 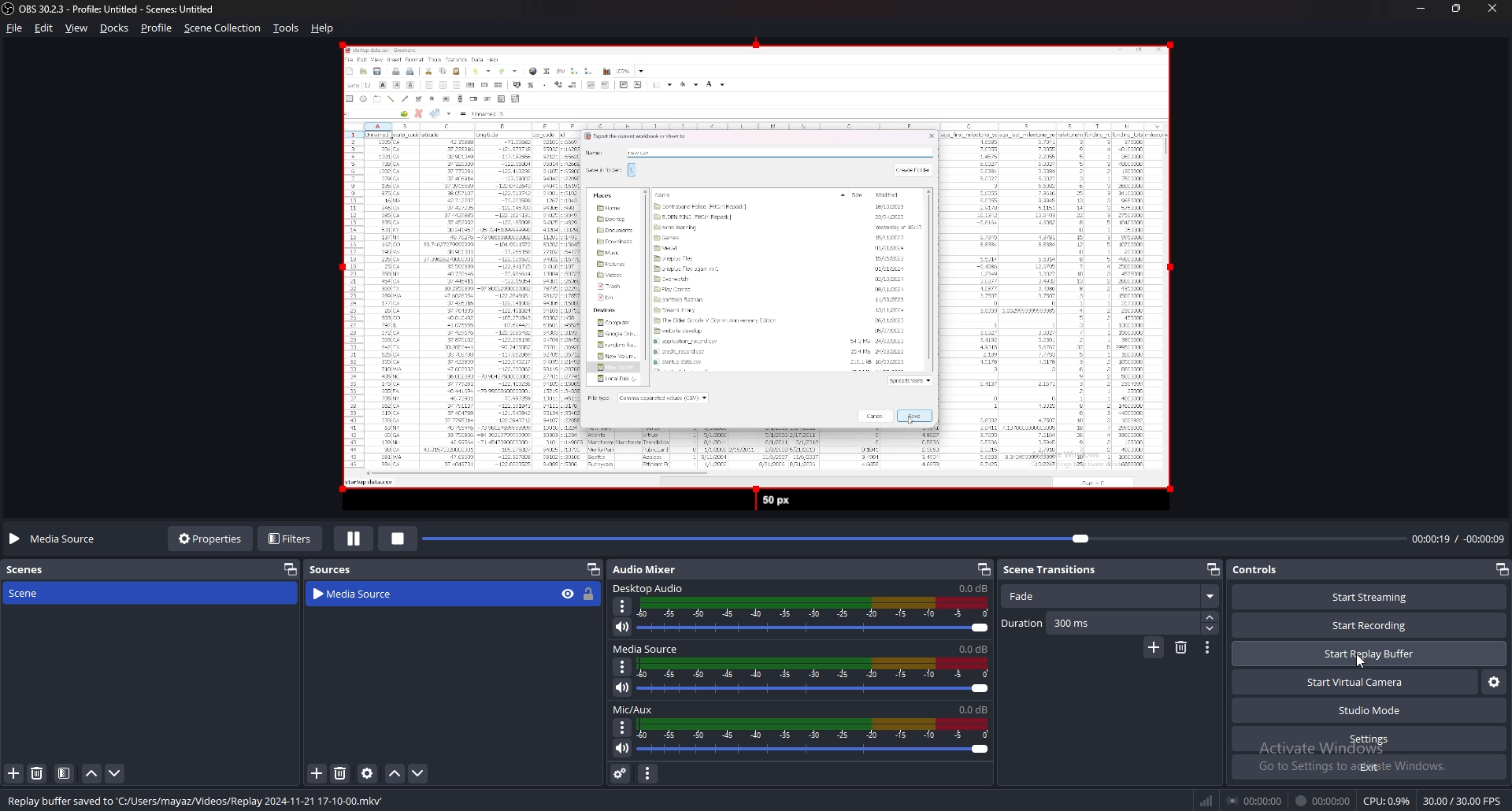 What do you see at coordinates (648, 649) in the screenshot?
I see `media source` at bounding box center [648, 649].